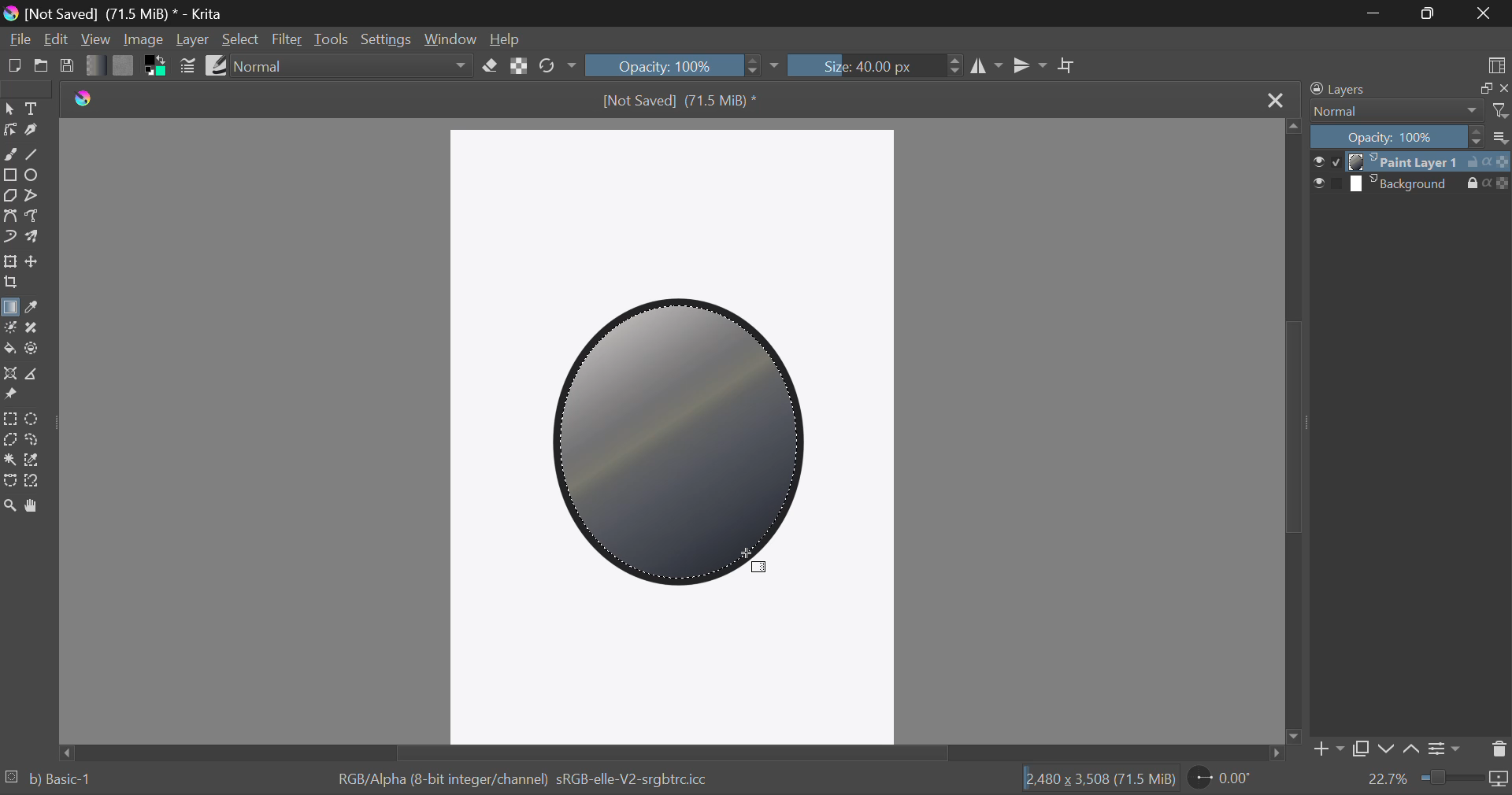  I want to click on Edit Shapes, so click(9, 131).